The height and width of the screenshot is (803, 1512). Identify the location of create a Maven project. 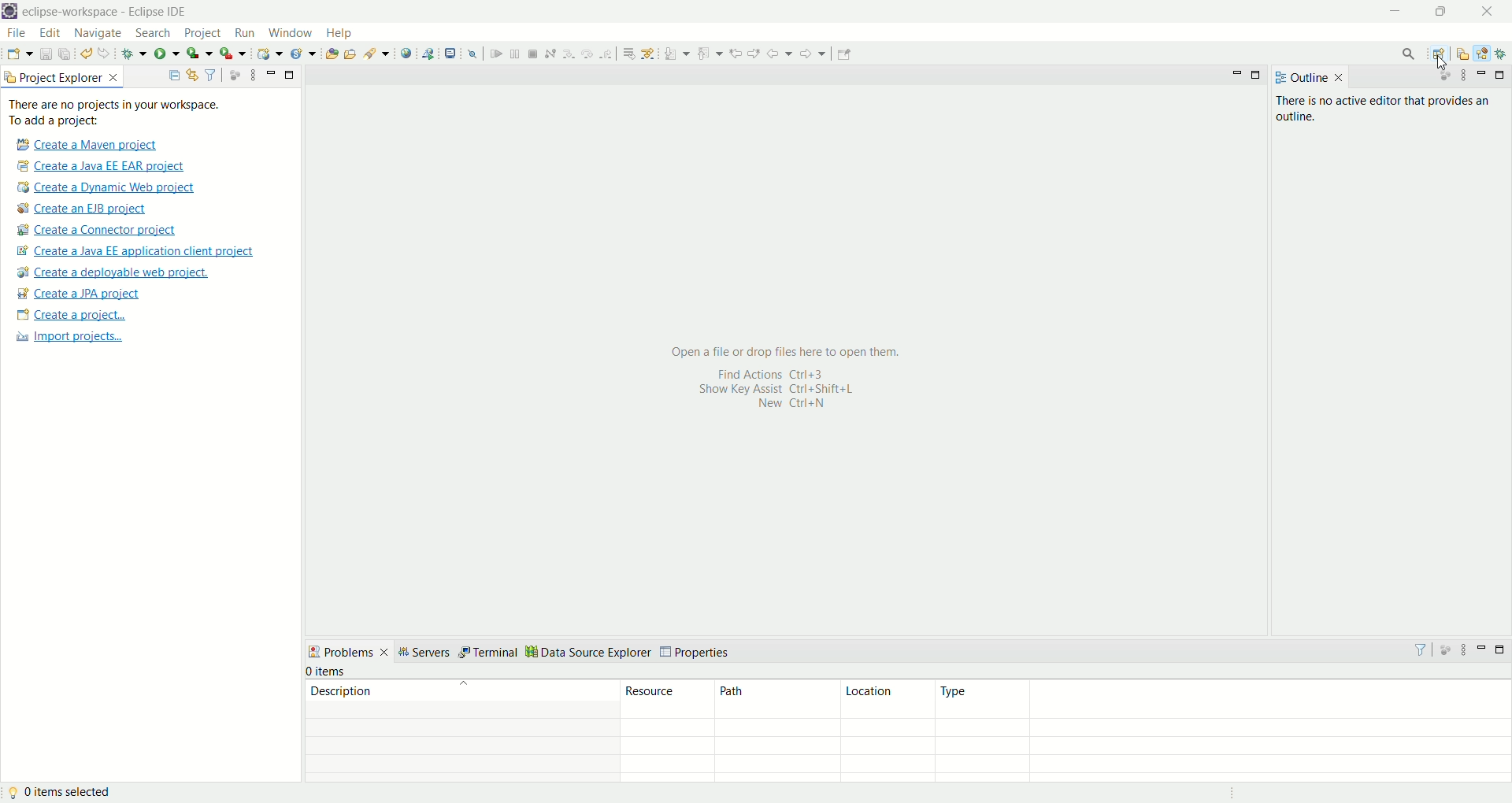
(82, 143).